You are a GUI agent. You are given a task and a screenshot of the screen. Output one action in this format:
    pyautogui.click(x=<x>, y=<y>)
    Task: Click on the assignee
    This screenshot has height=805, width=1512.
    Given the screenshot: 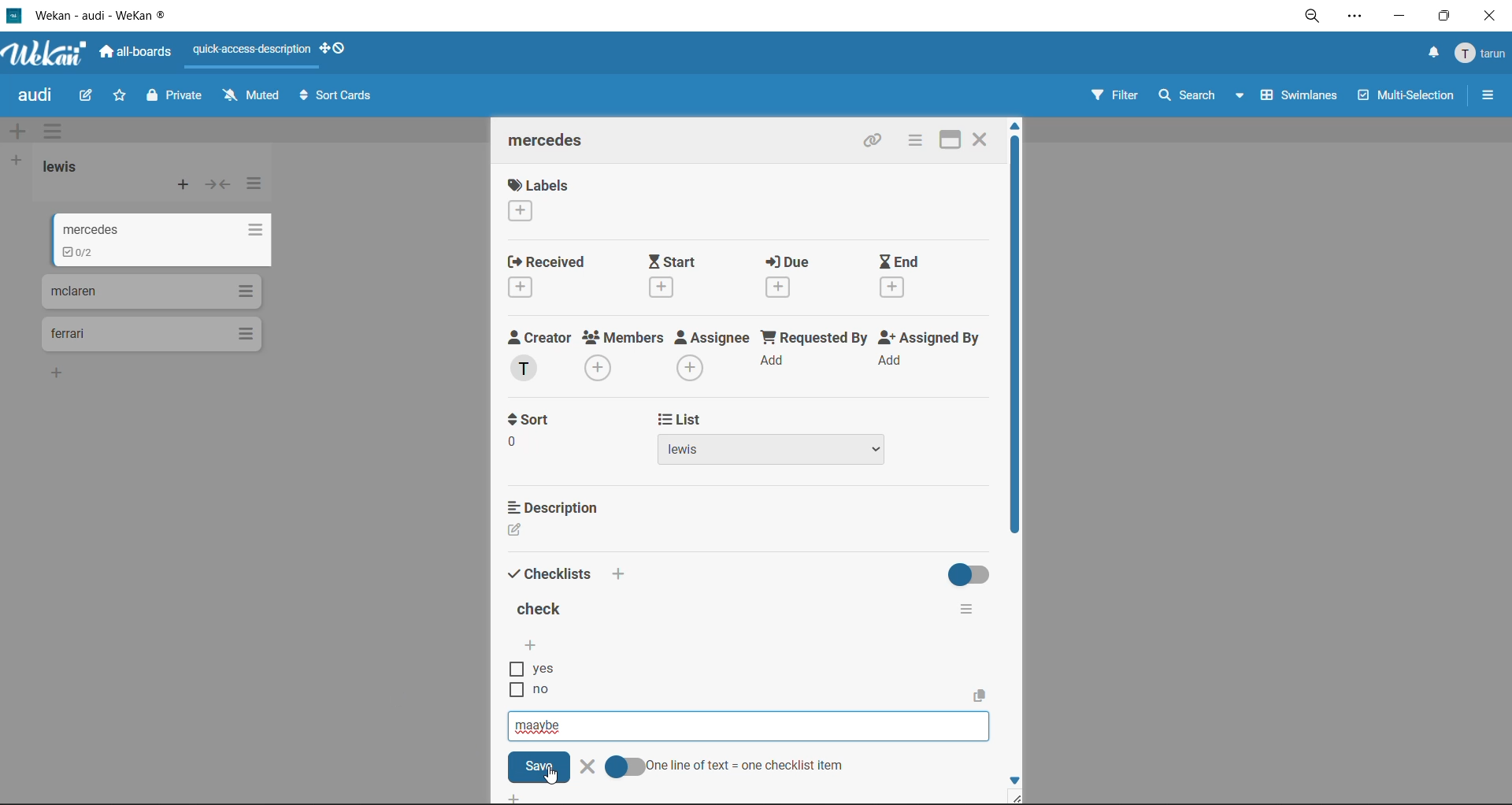 What is the action you would take?
    pyautogui.click(x=711, y=339)
    